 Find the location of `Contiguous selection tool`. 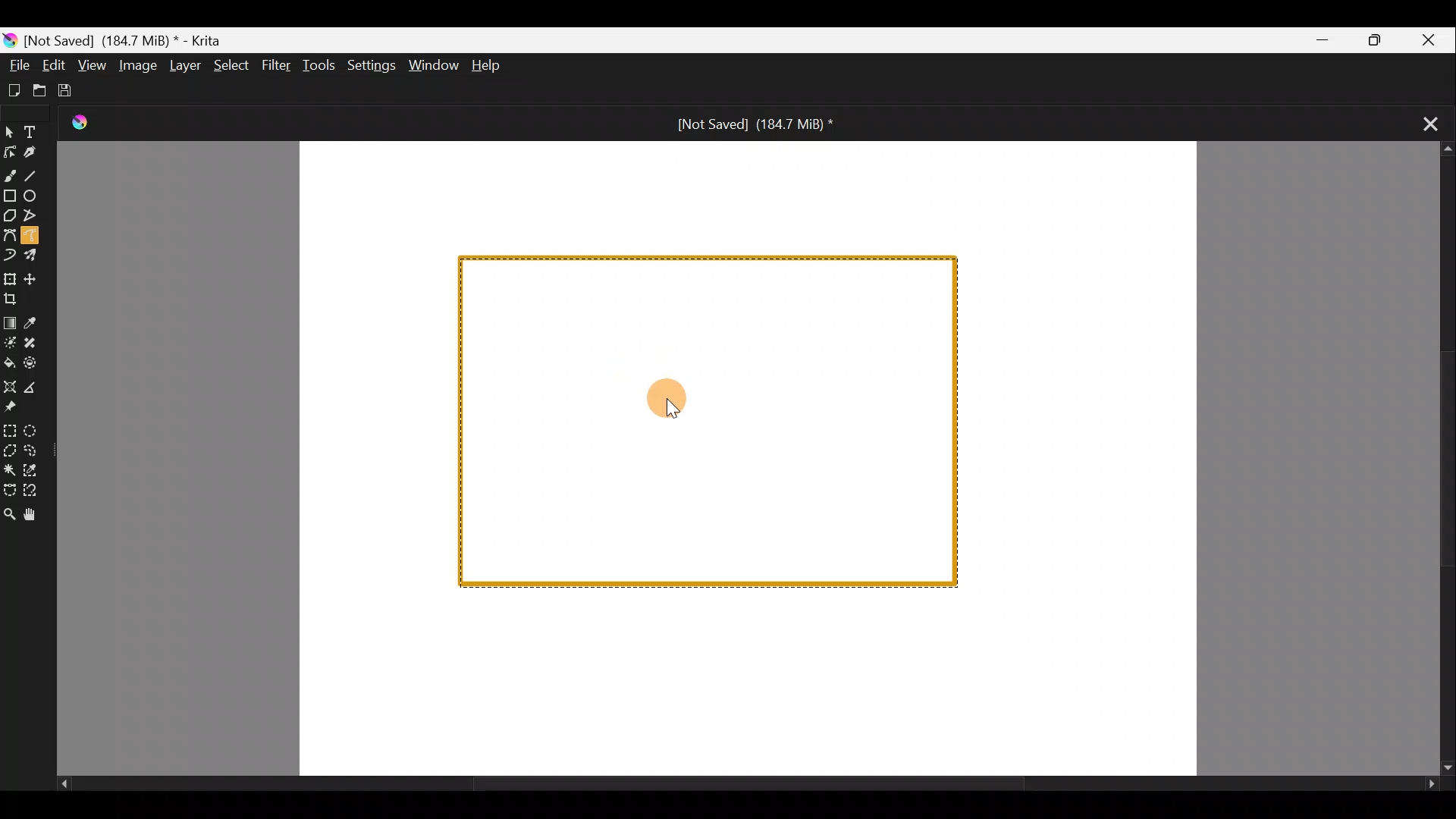

Contiguous selection tool is located at coordinates (9, 467).